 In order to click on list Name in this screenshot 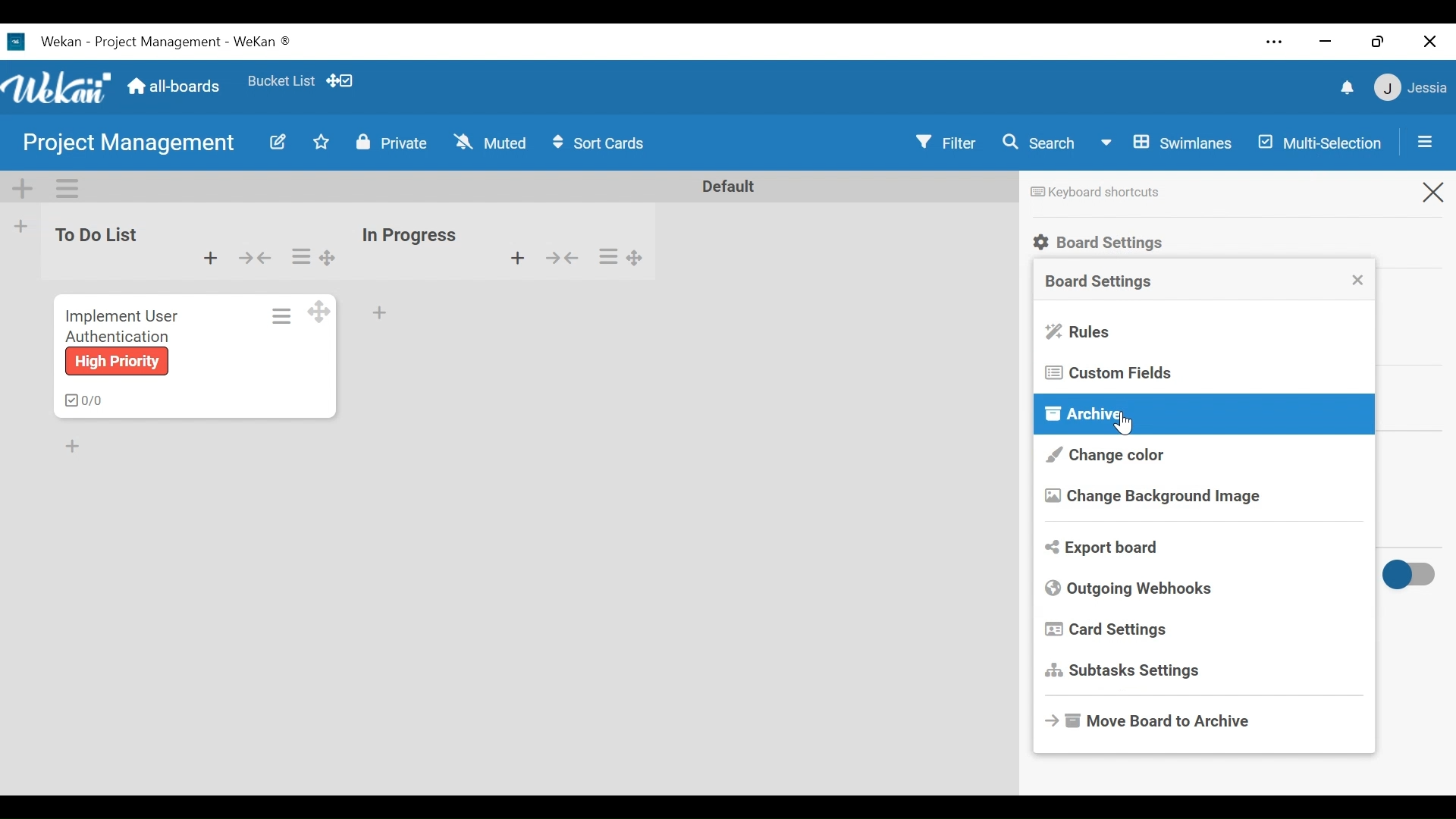, I will do `click(408, 235)`.